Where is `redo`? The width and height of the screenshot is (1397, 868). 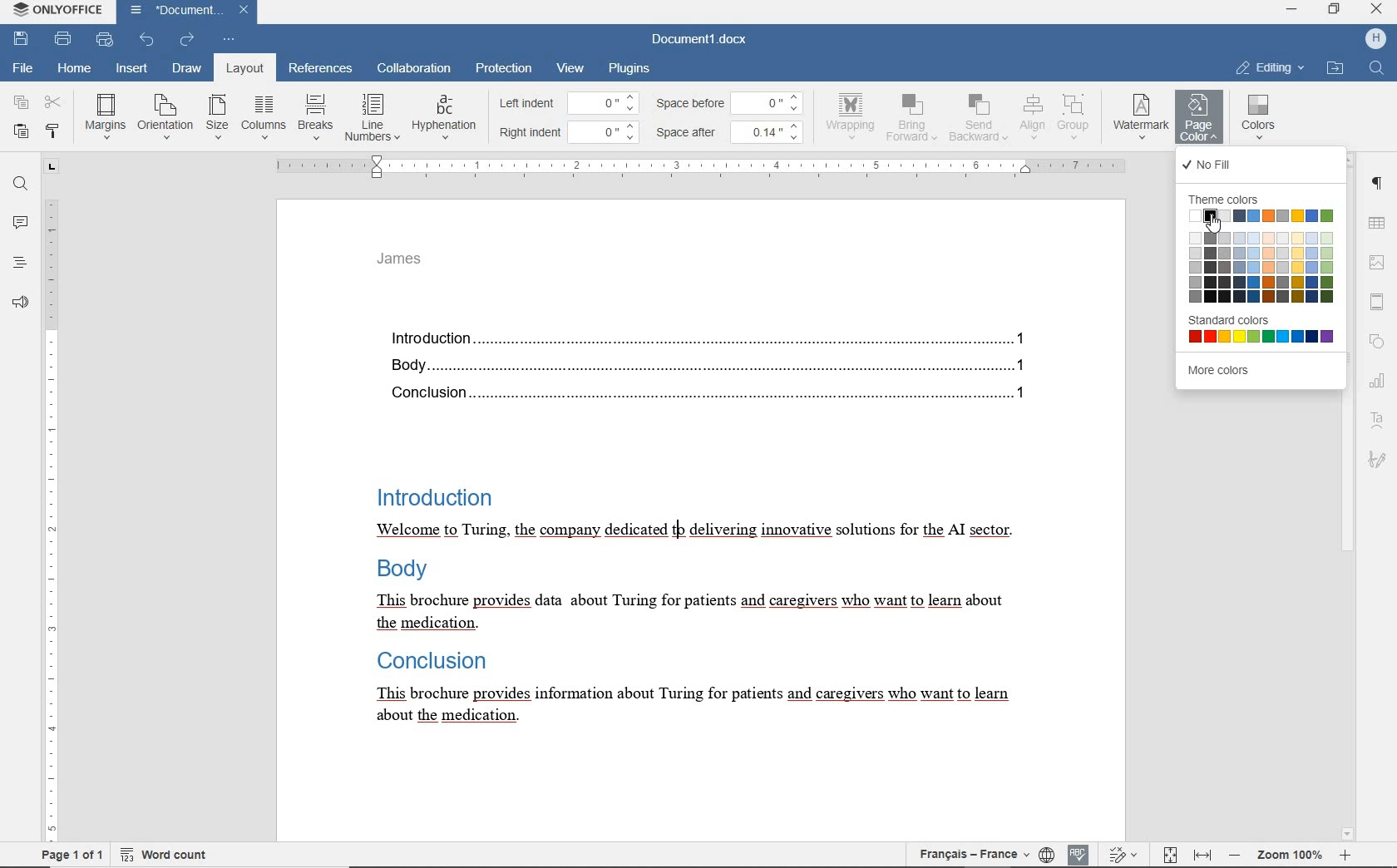 redo is located at coordinates (186, 40).